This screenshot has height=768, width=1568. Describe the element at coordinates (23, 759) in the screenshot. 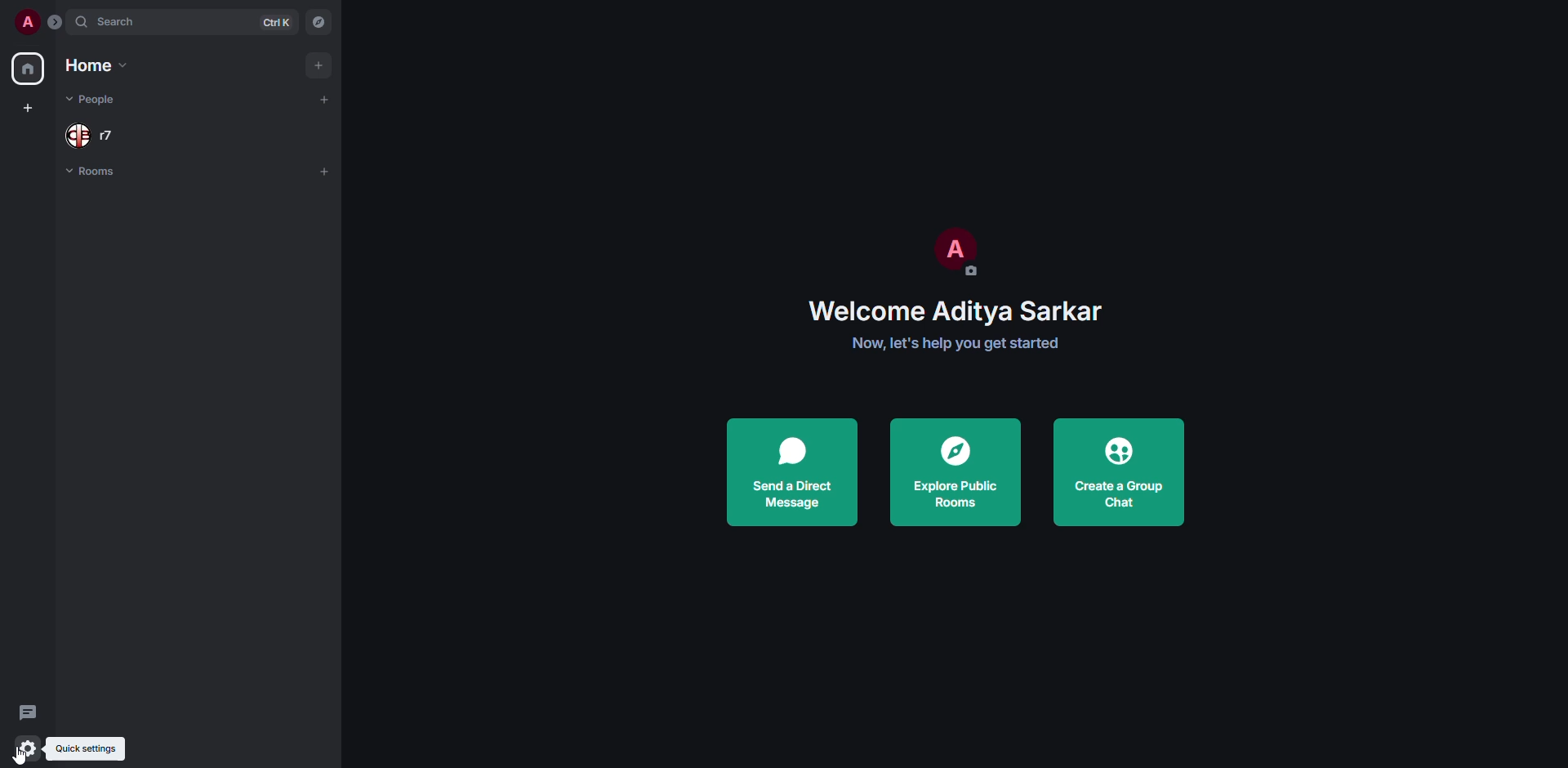

I see `cursor` at that location.